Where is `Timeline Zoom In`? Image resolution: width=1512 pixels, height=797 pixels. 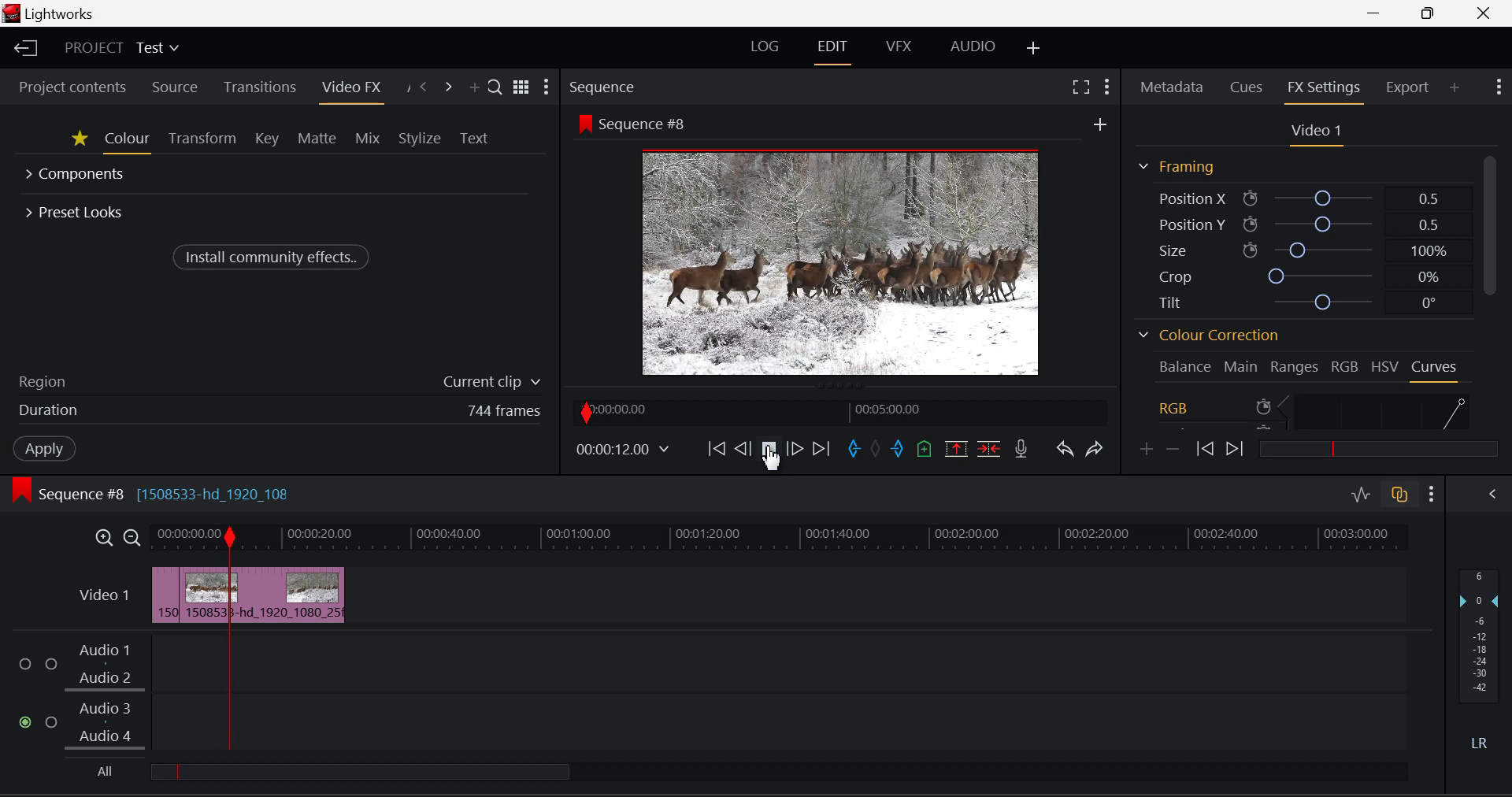
Timeline Zoom In is located at coordinates (103, 539).